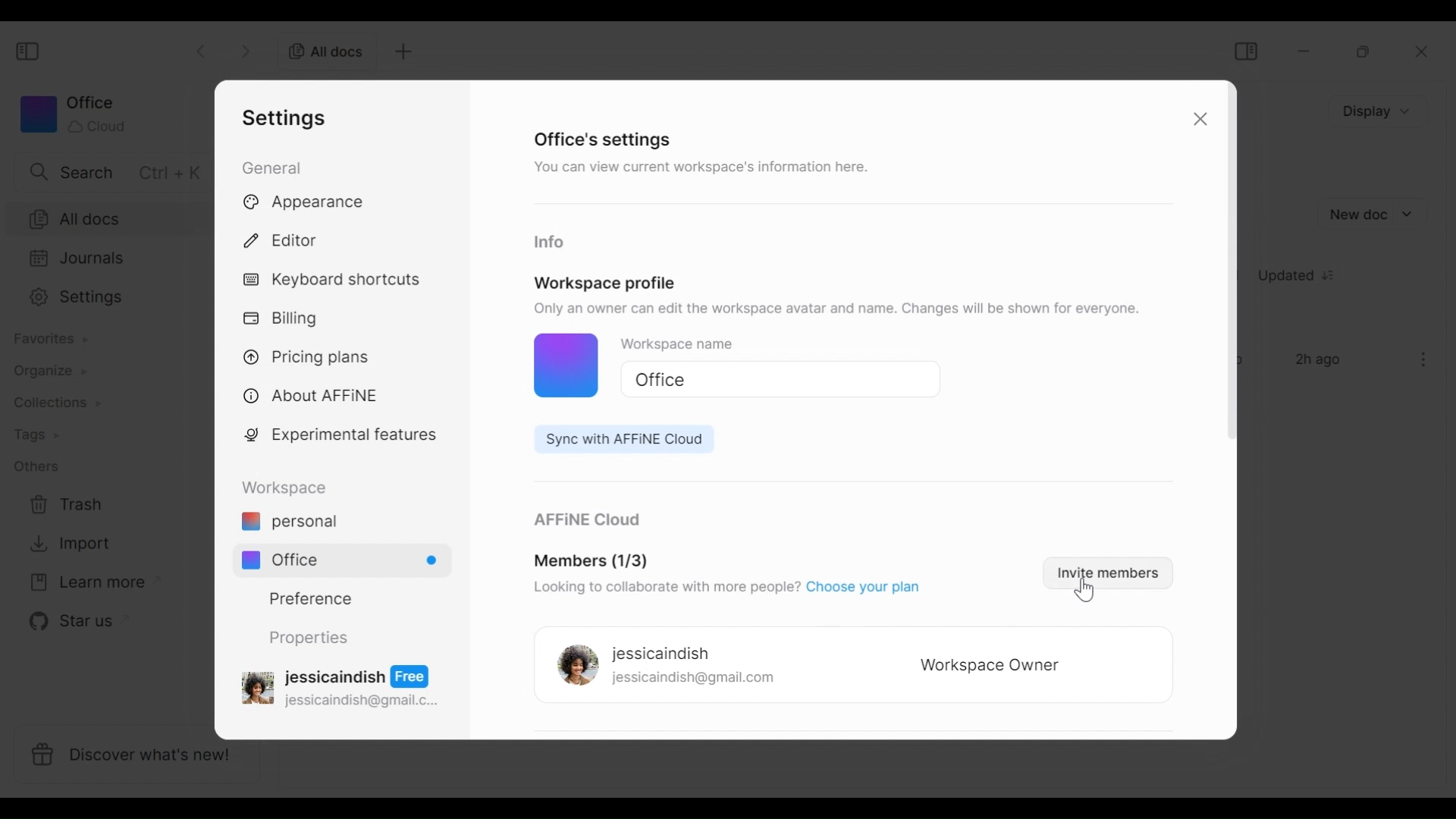 The width and height of the screenshot is (1456, 819). Describe the element at coordinates (36, 466) in the screenshot. I see `Others` at that location.